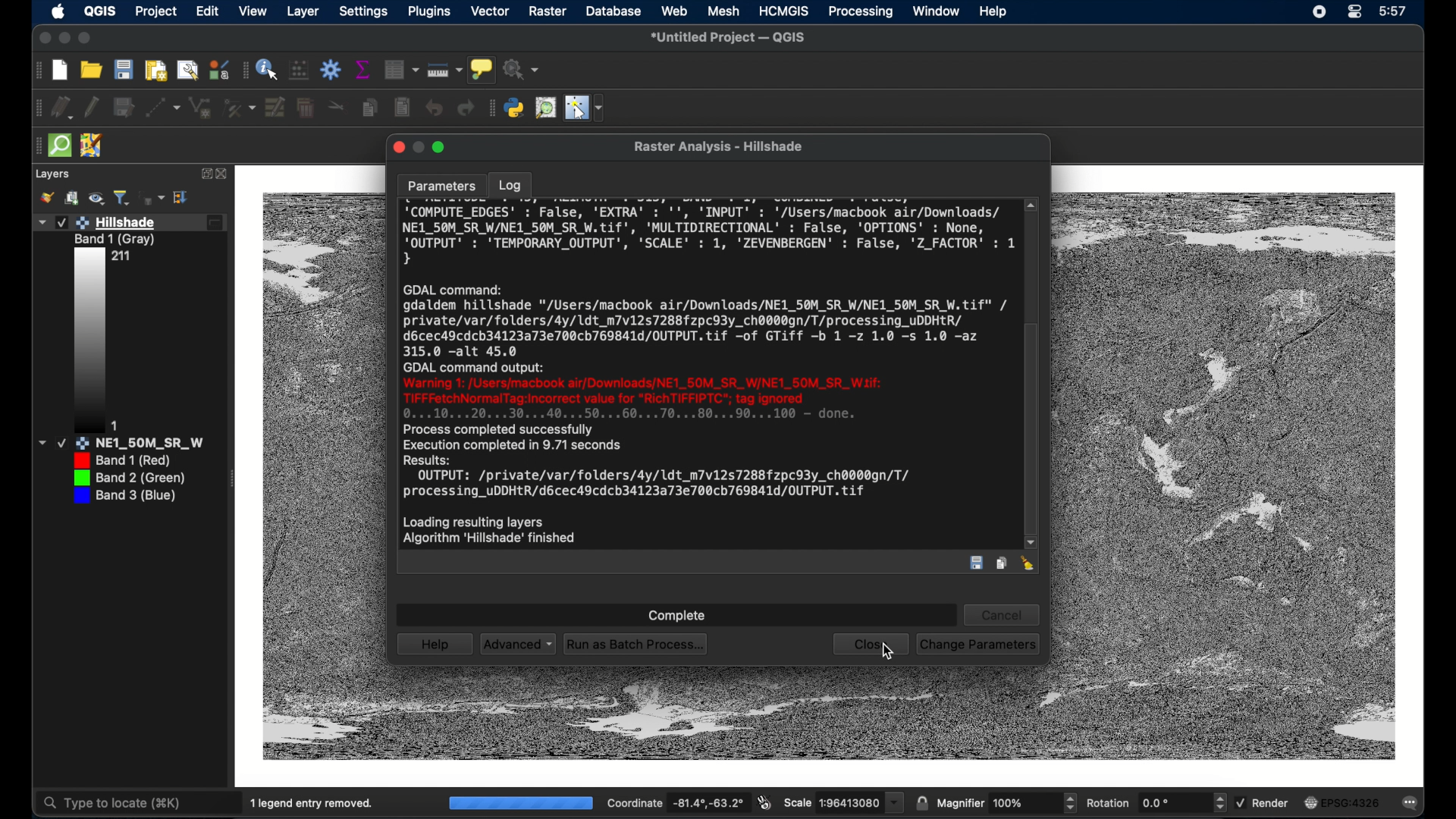 The width and height of the screenshot is (1456, 819). I want to click on filter legend, so click(122, 197).